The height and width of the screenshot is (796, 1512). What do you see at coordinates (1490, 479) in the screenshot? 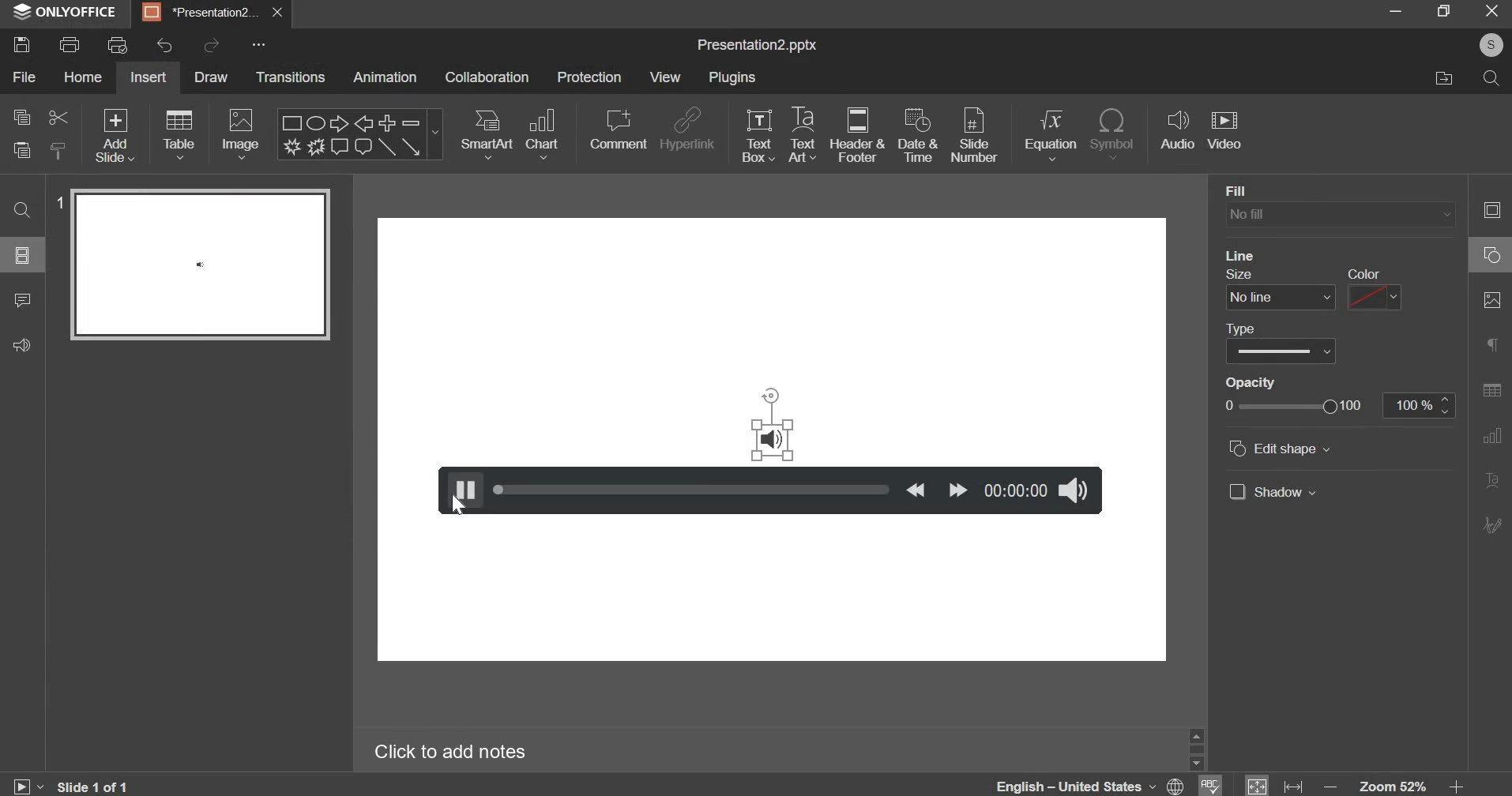
I see `text art settings` at bounding box center [1490, 479].